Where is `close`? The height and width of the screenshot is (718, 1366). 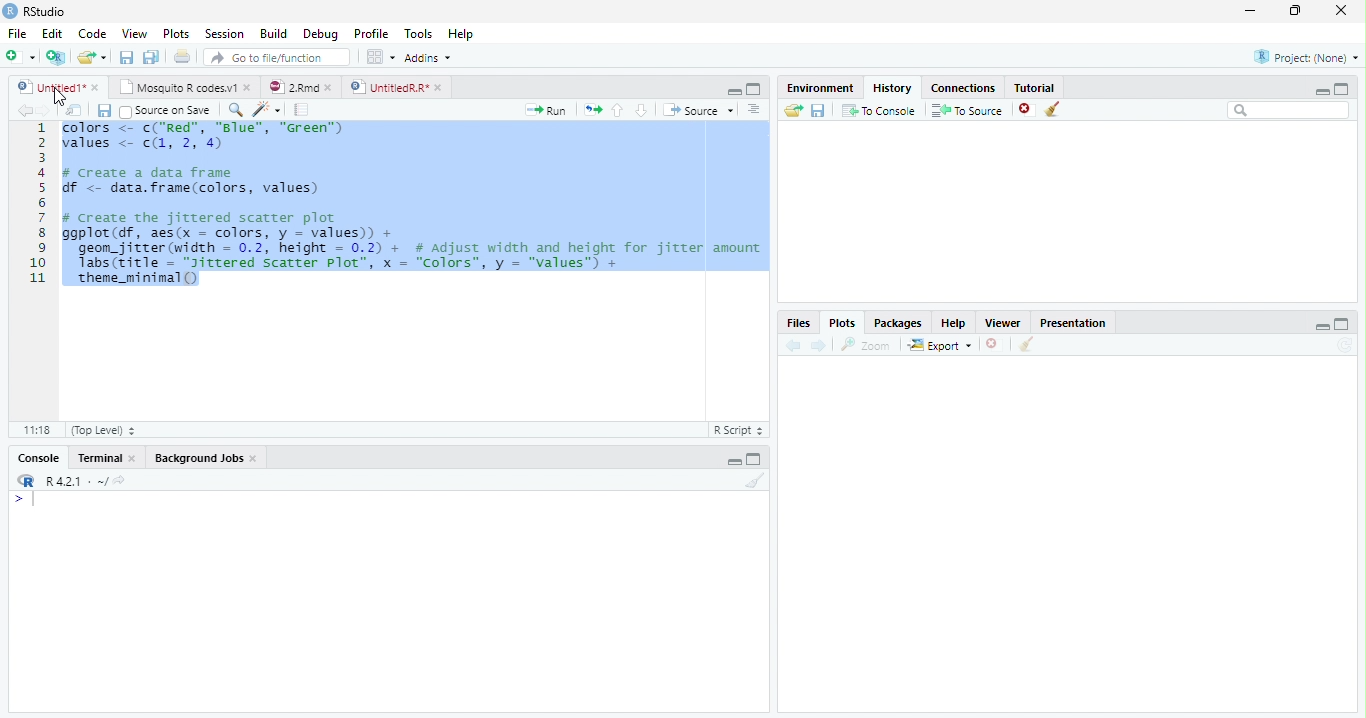
close is located at coordinates (254, 458).